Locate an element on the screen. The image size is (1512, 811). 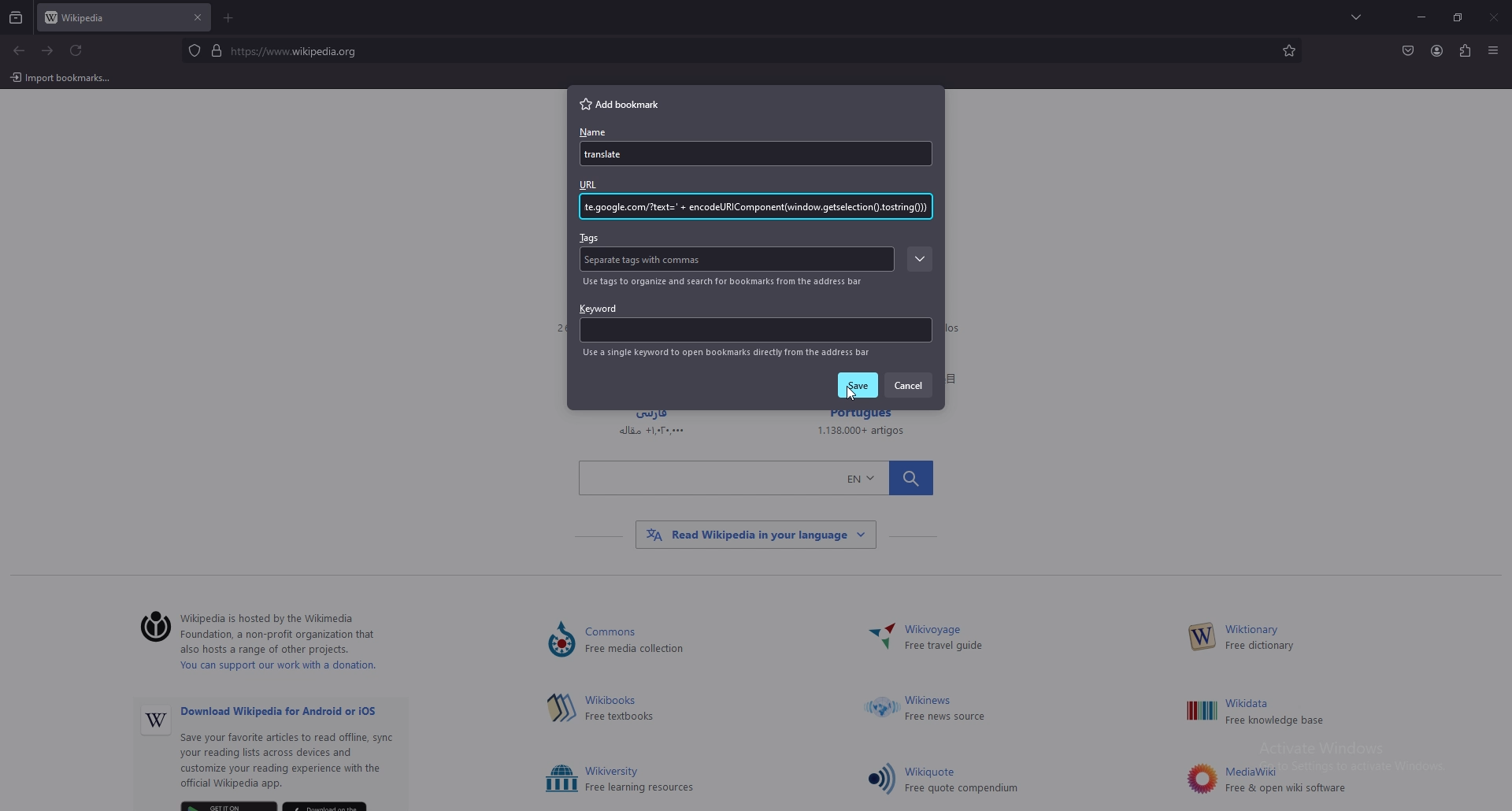
name is located at coordinates (591, 133).